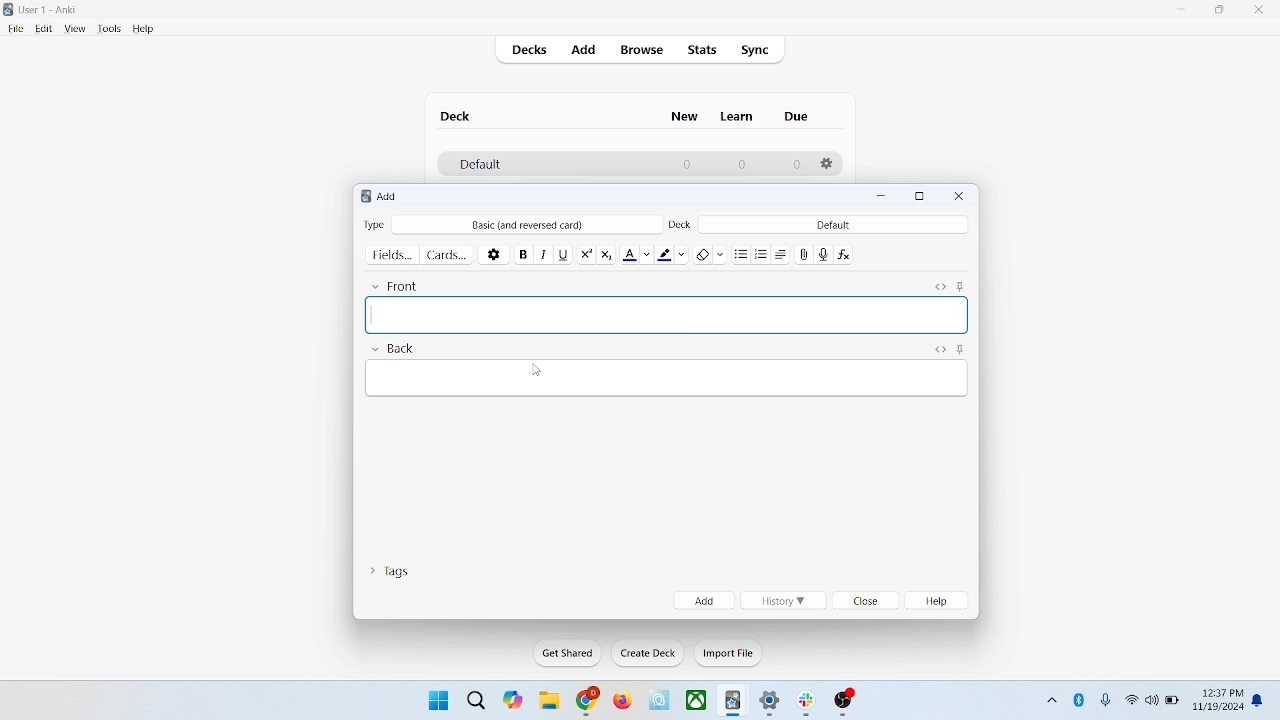 The height and width of the screenshot is (720, 1280). Describe the element at coordinates (846, 253) in the screenshot. I see `function` at that location.